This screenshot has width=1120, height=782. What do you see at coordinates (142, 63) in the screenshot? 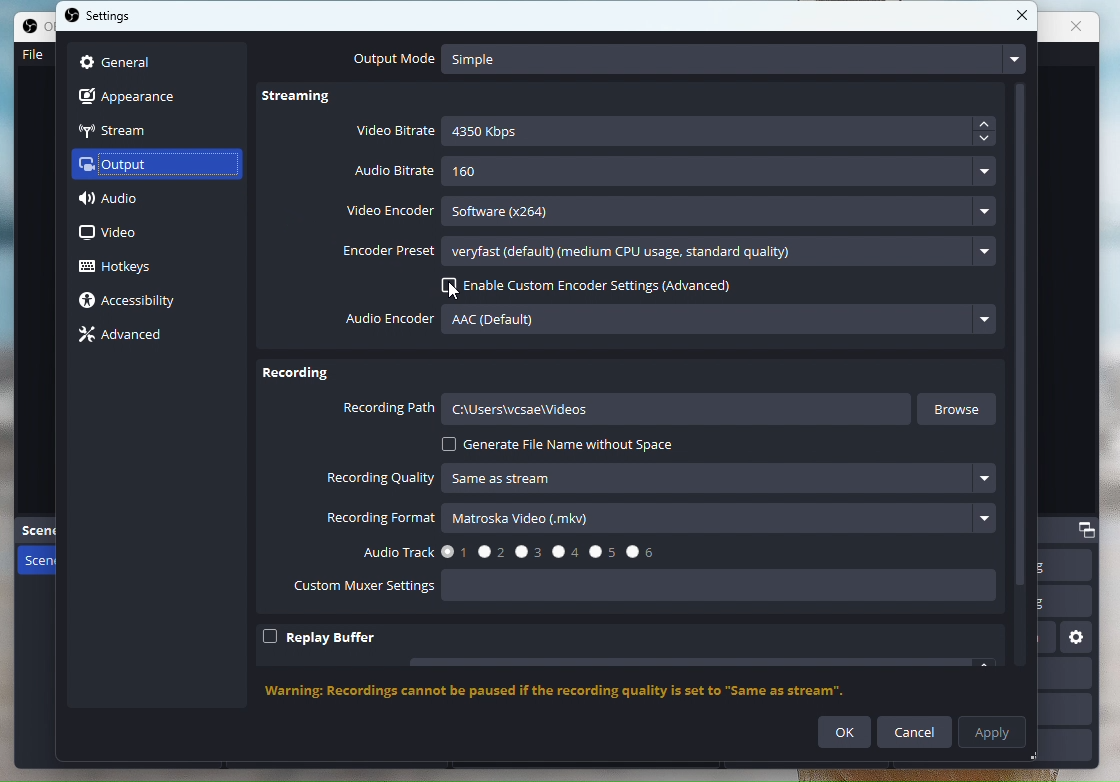
I see `General` at bounding box center [142, 63].